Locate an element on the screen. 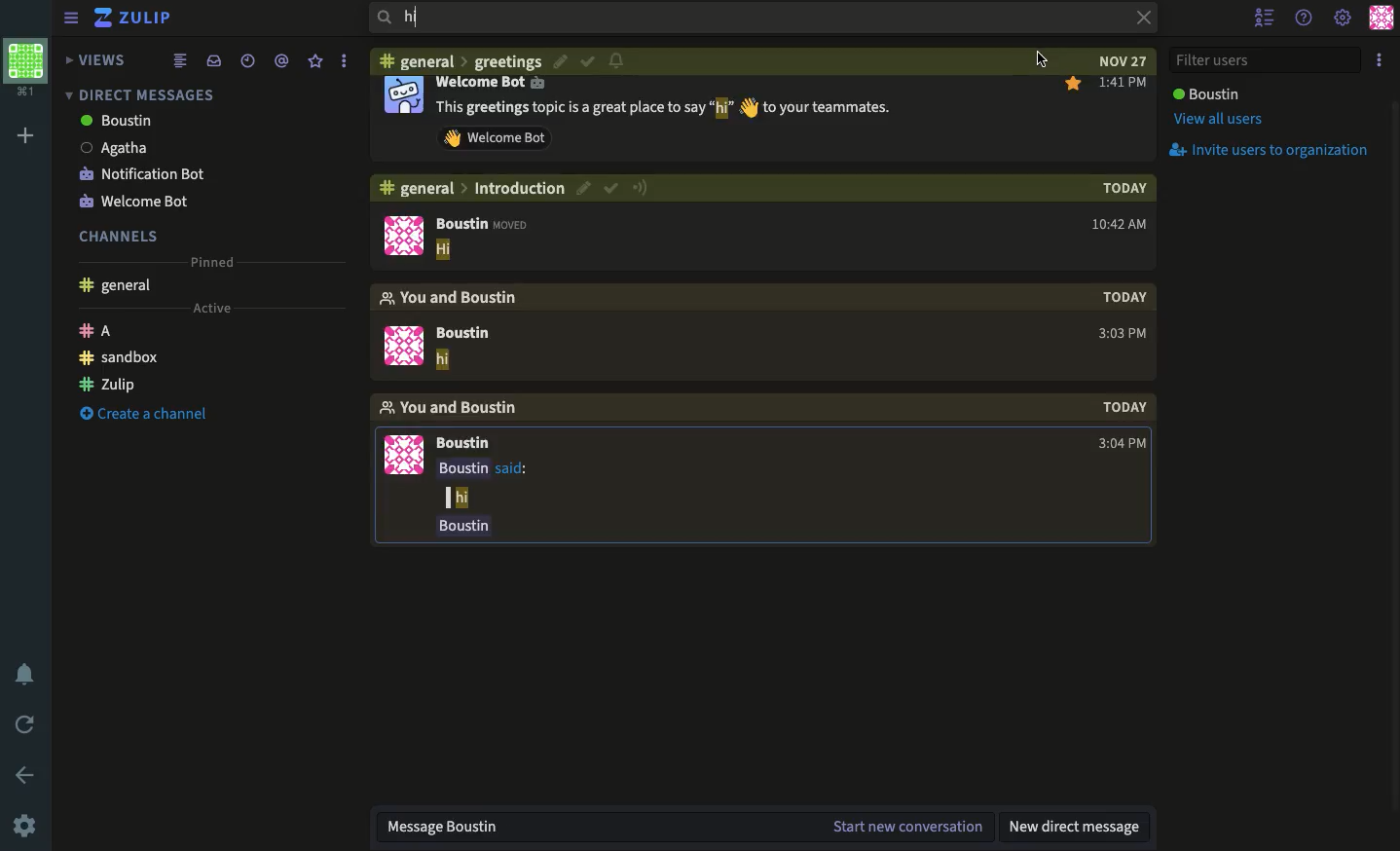 The height and width of the screenshot is (851, 1400). message boustin is located at coordinates (597, 827).